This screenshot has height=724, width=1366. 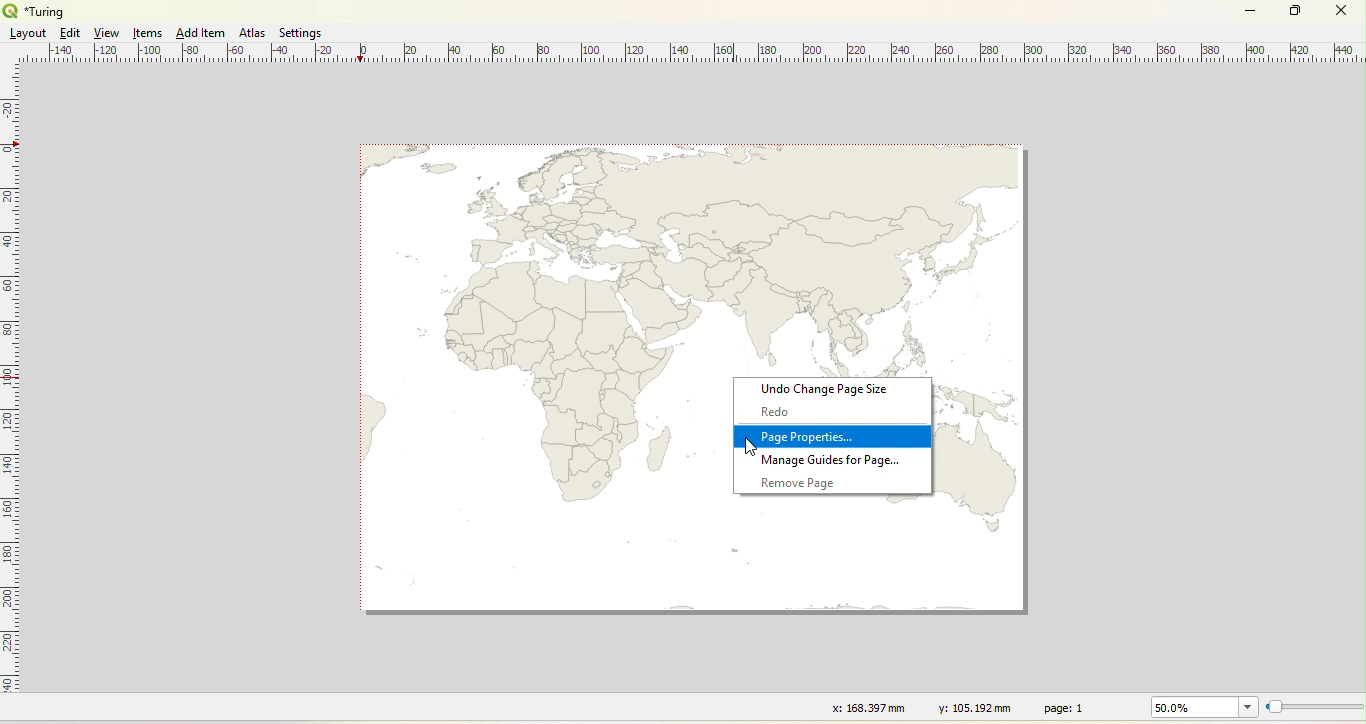 What do you see at coordinates (866, 707) in the screenshot?
I see `x: 168.397 mm` at bounding box center [866, 707].